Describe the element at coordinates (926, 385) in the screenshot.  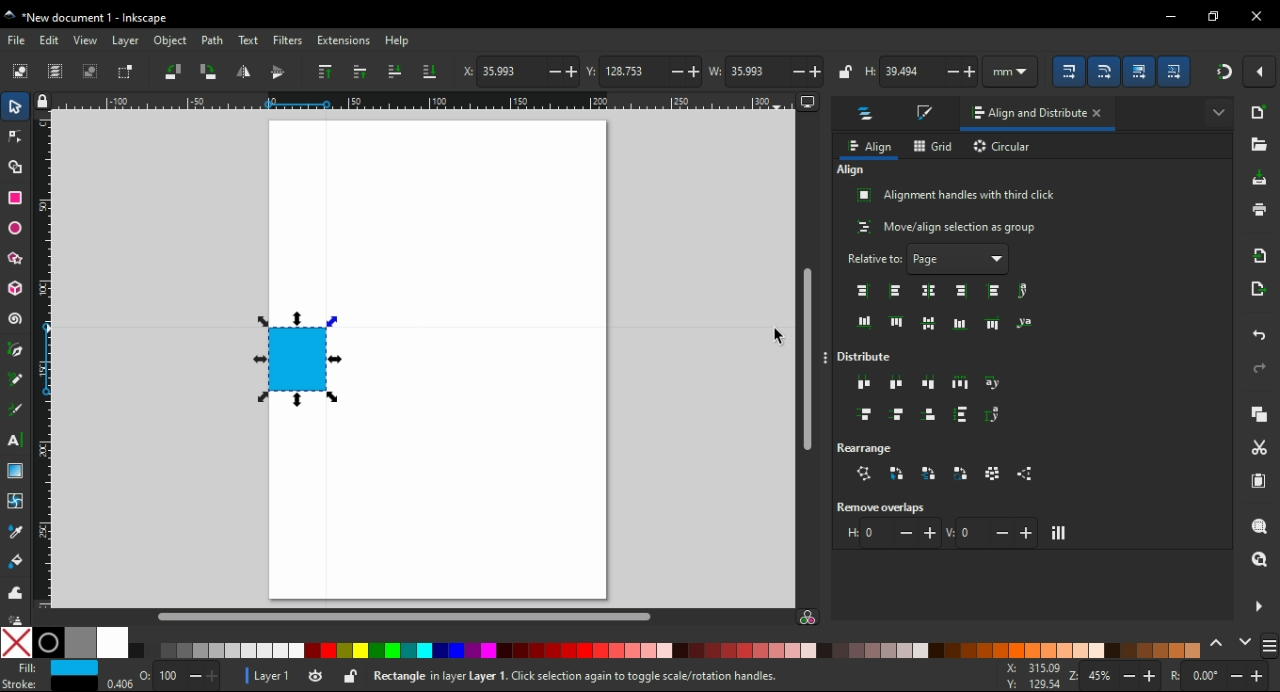
I see `distribute horizontally with even spacing between right edges` at that location.